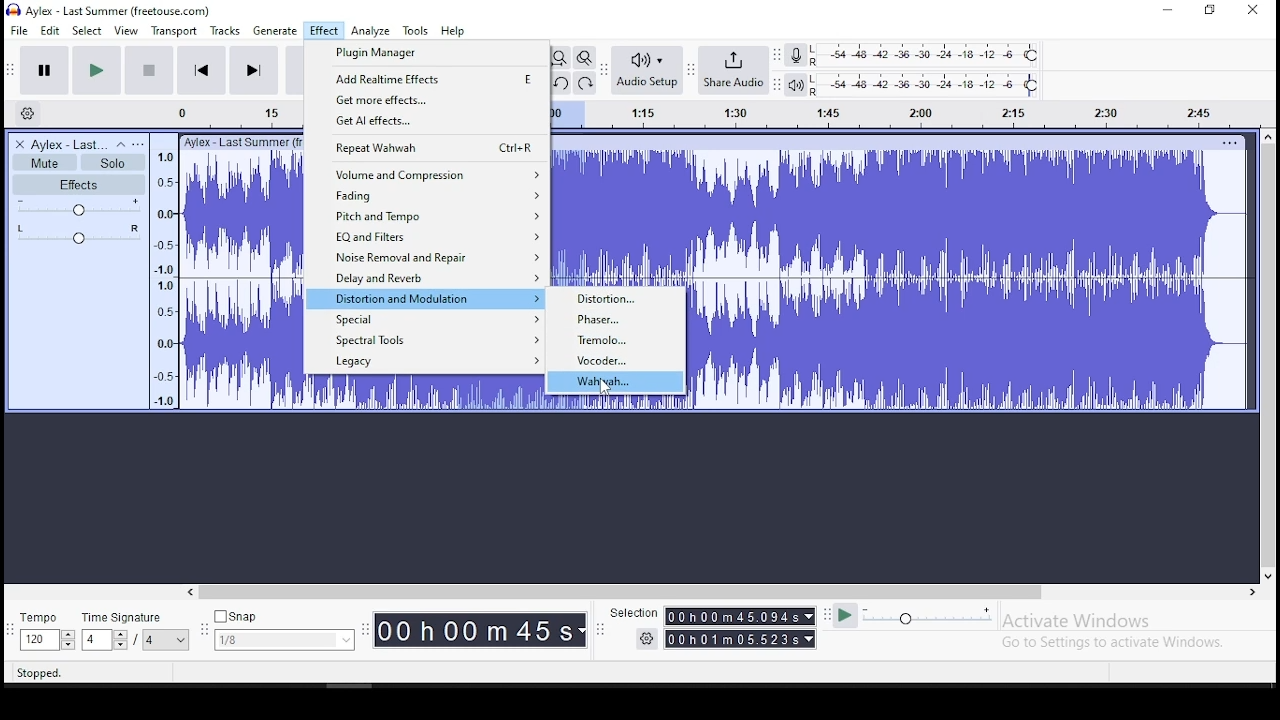  Describe the element at coordinates (620, 217) in the screenshot. I see `audio track` at that location.